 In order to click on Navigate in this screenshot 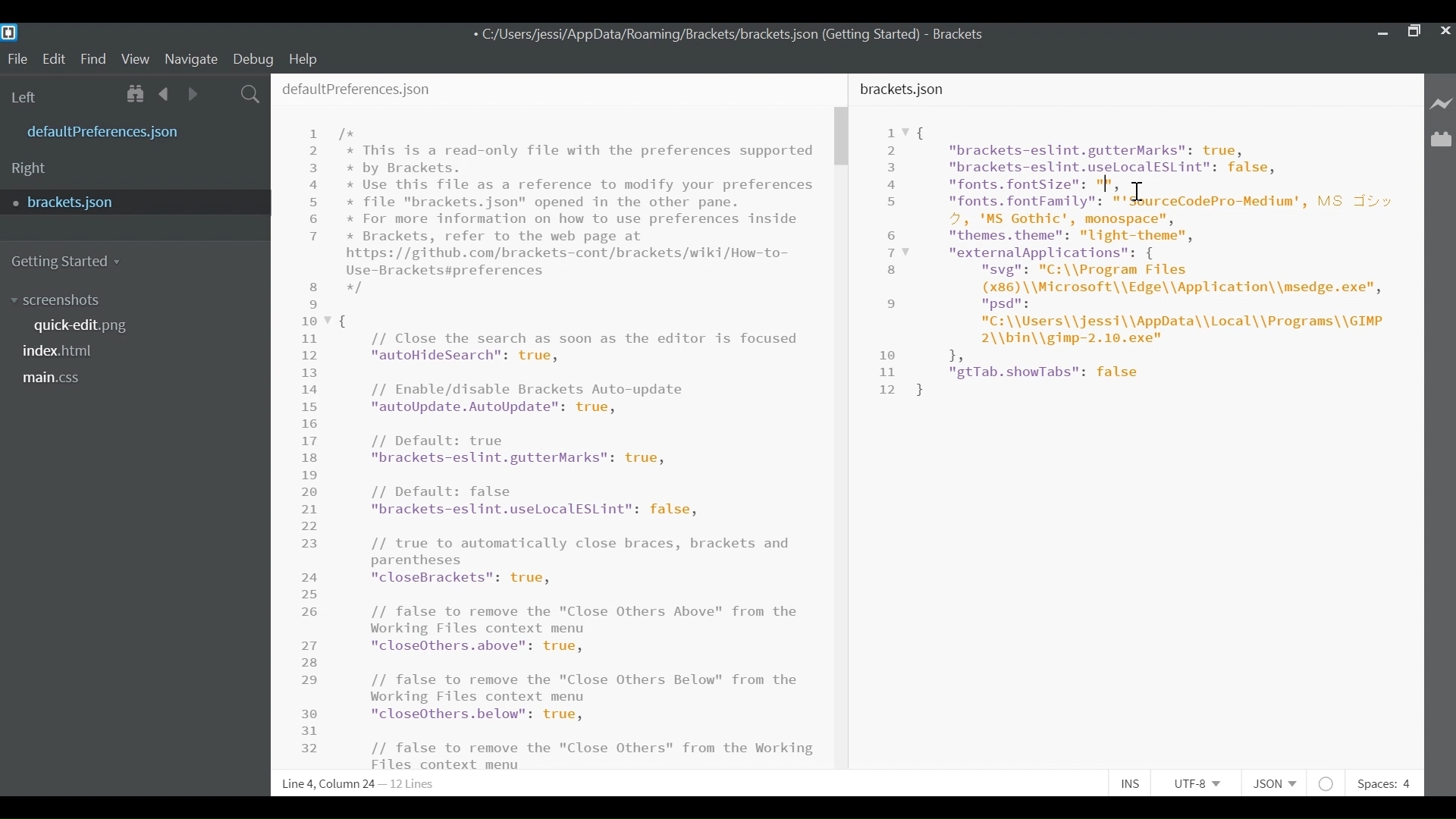, I will do `click(190, 59)`.